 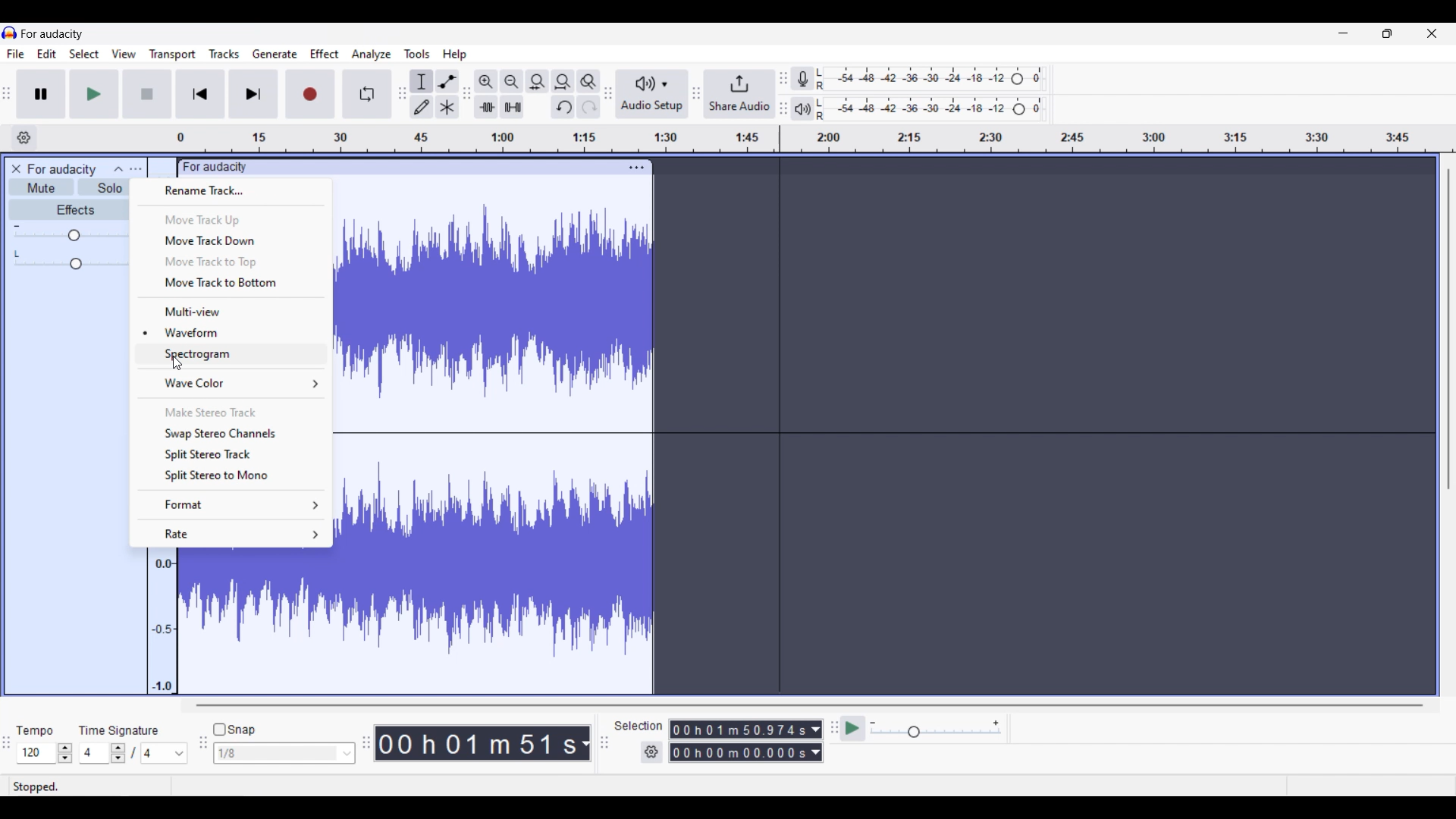 I want to click on View menu, so click(x=124, y=53).